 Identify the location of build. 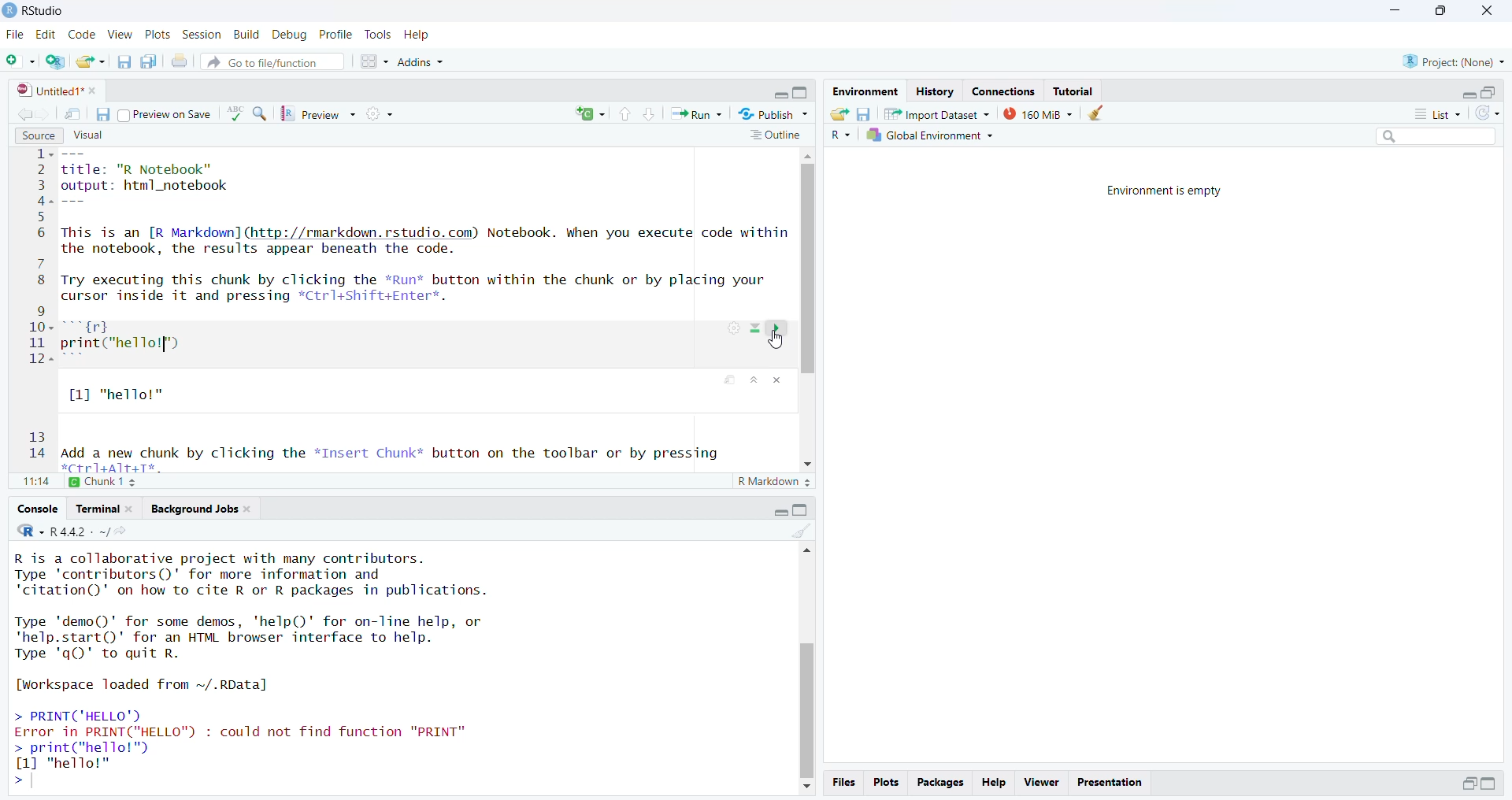
(248, 35).